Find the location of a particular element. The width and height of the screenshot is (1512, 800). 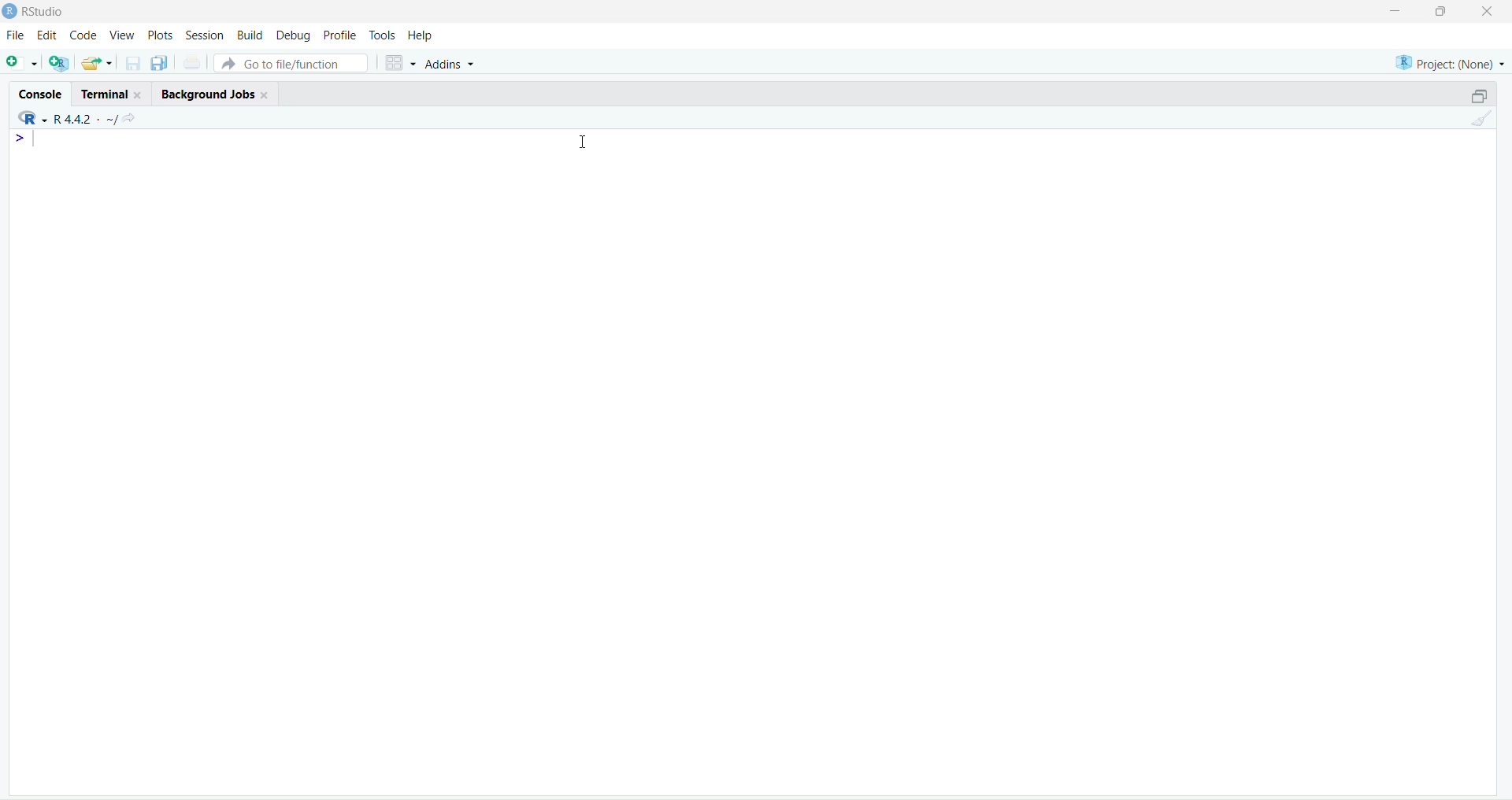

maximise is located at coordinates (1441, 11).